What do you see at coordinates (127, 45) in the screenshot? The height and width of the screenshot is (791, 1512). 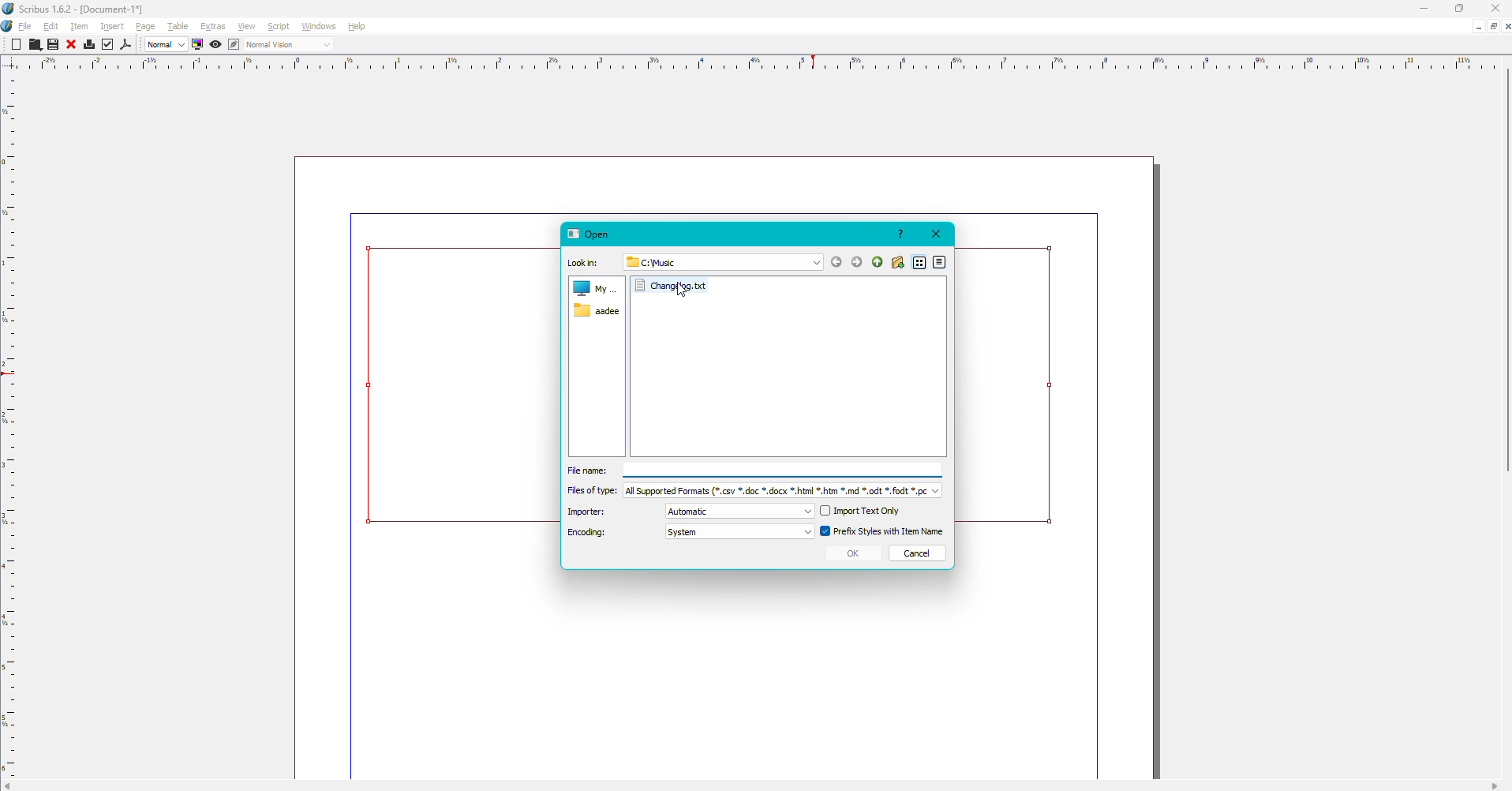 I see `PDF` at bounding box center [127, 45].